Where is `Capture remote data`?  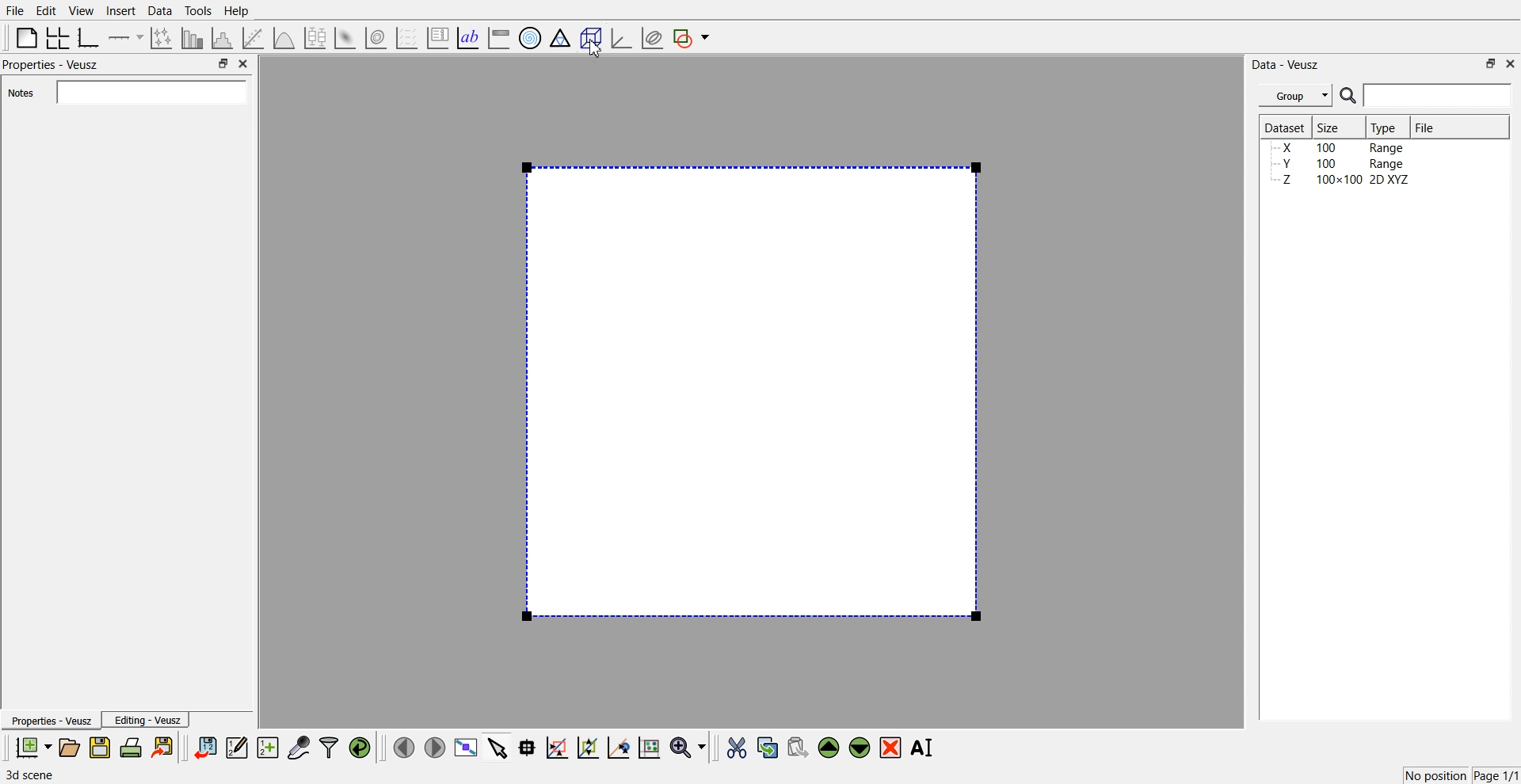 Capture remote data is located at coordinates (299, 747).